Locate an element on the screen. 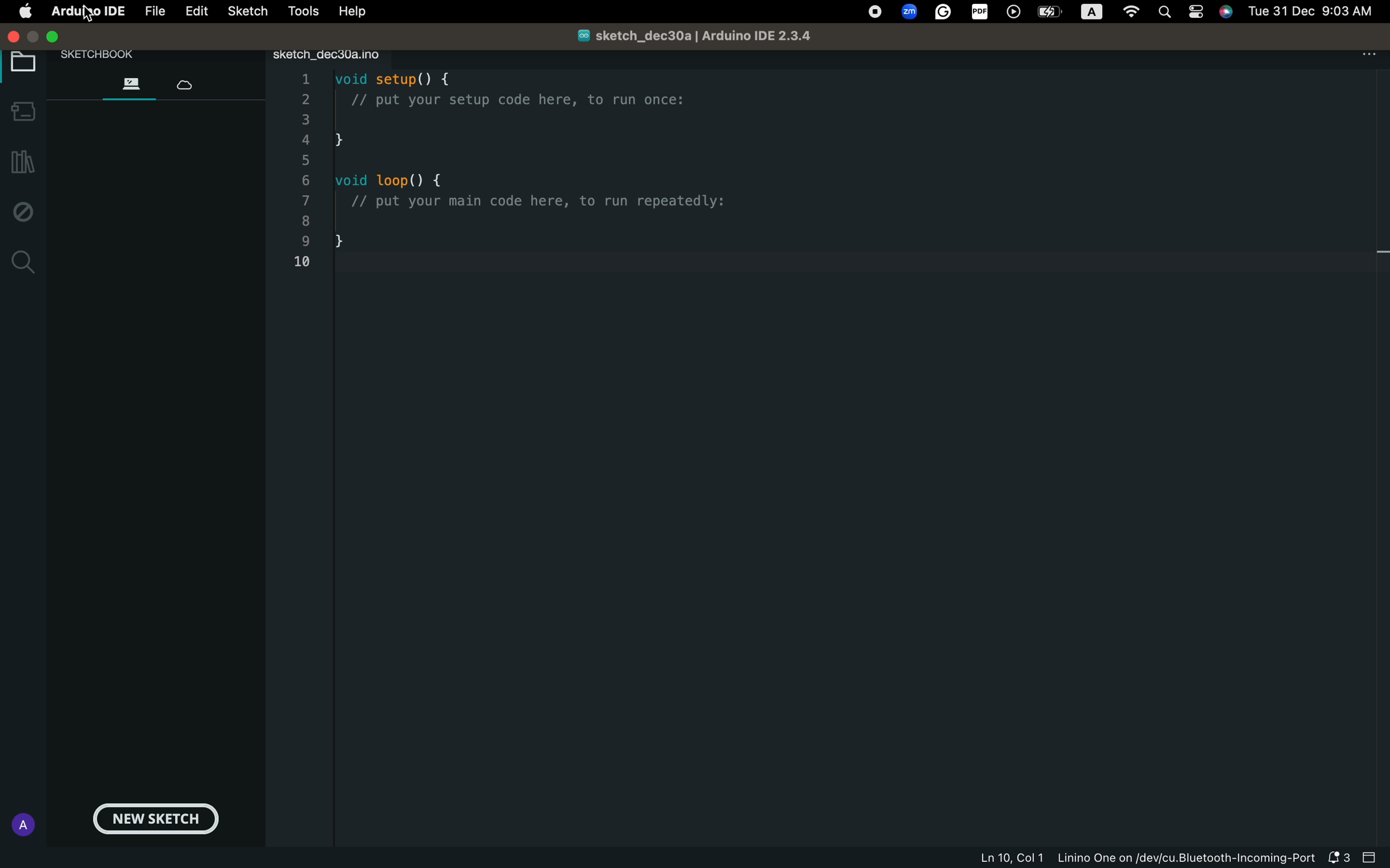  help is located at coordinates (352, 11).